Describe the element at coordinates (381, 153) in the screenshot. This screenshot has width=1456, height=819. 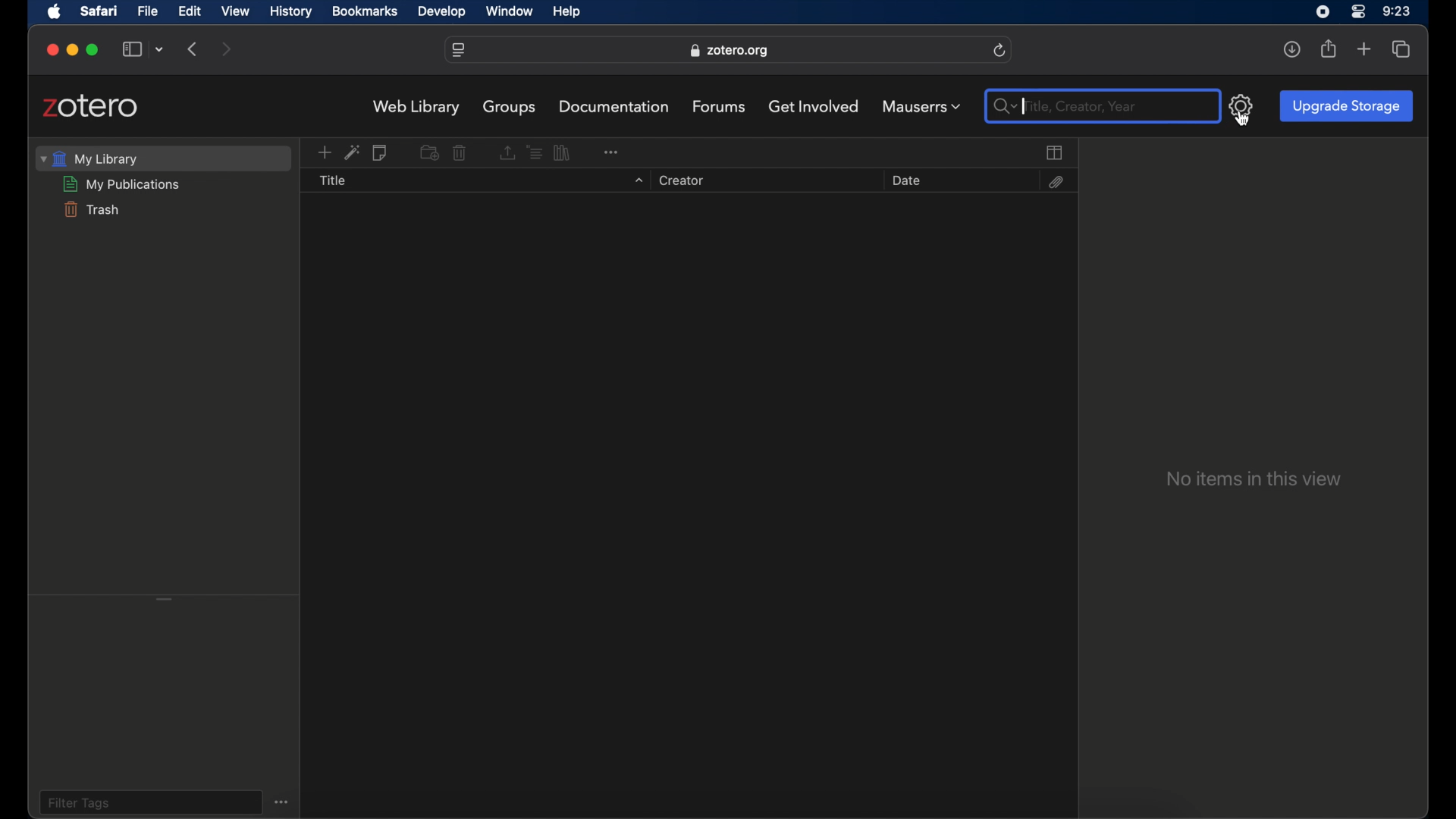
I see `new standalone note` at that location.